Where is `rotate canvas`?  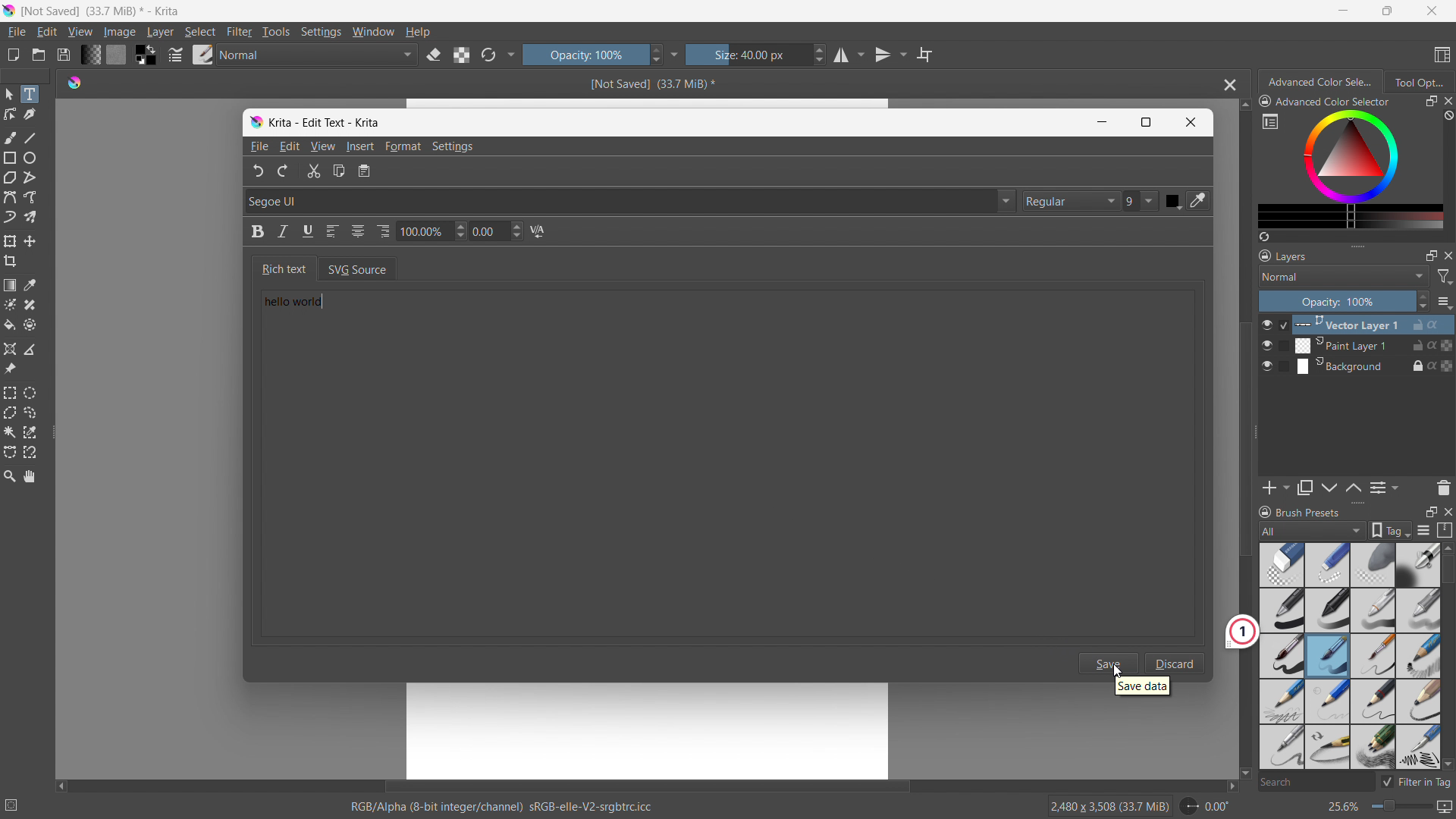
rotate canvas is located at coordinates (1206, 806).